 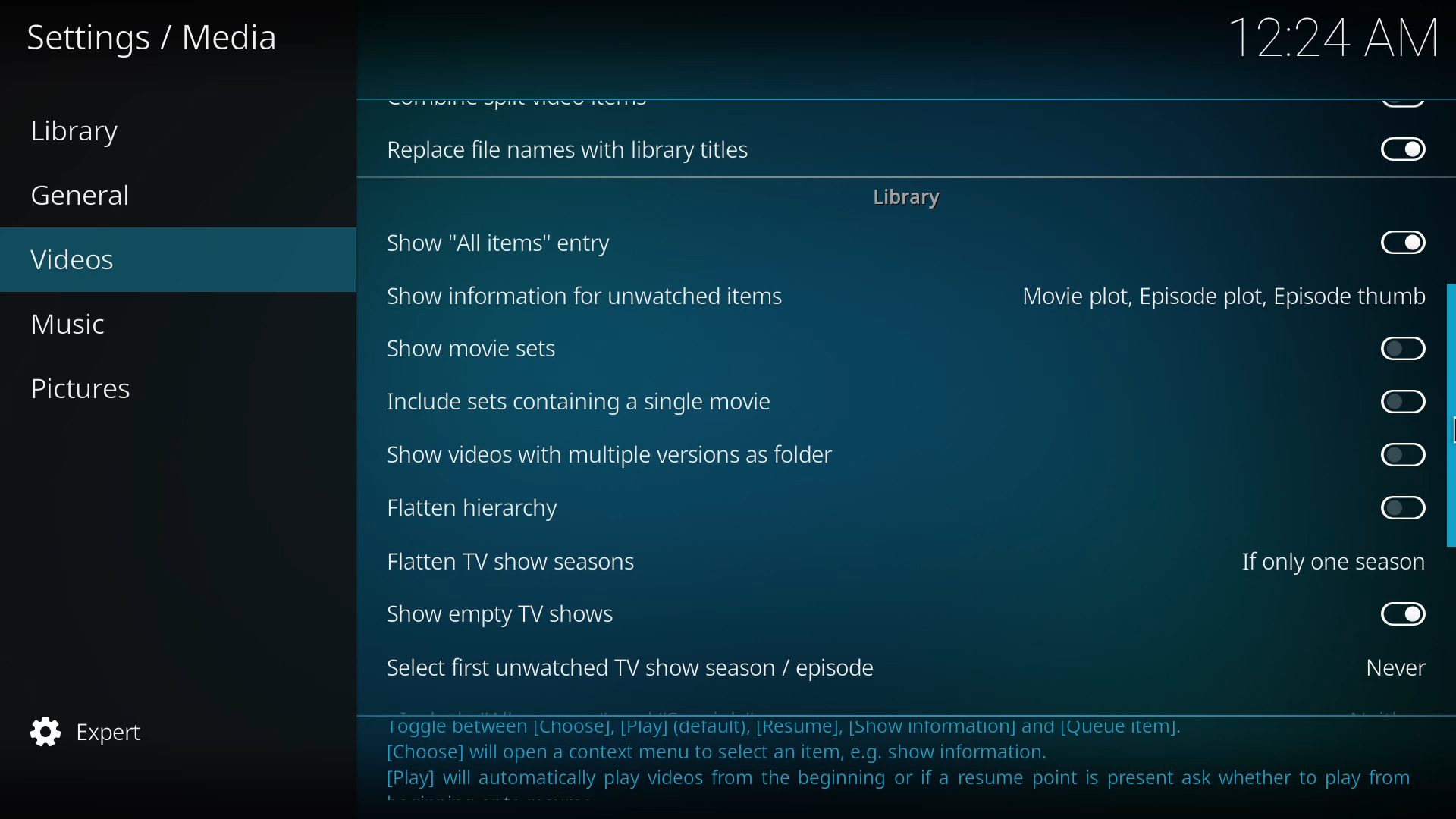 What do you see at coordinates (1400, 613) in the screenshot?
I see `enabled` at bounding box center [1400, 613].